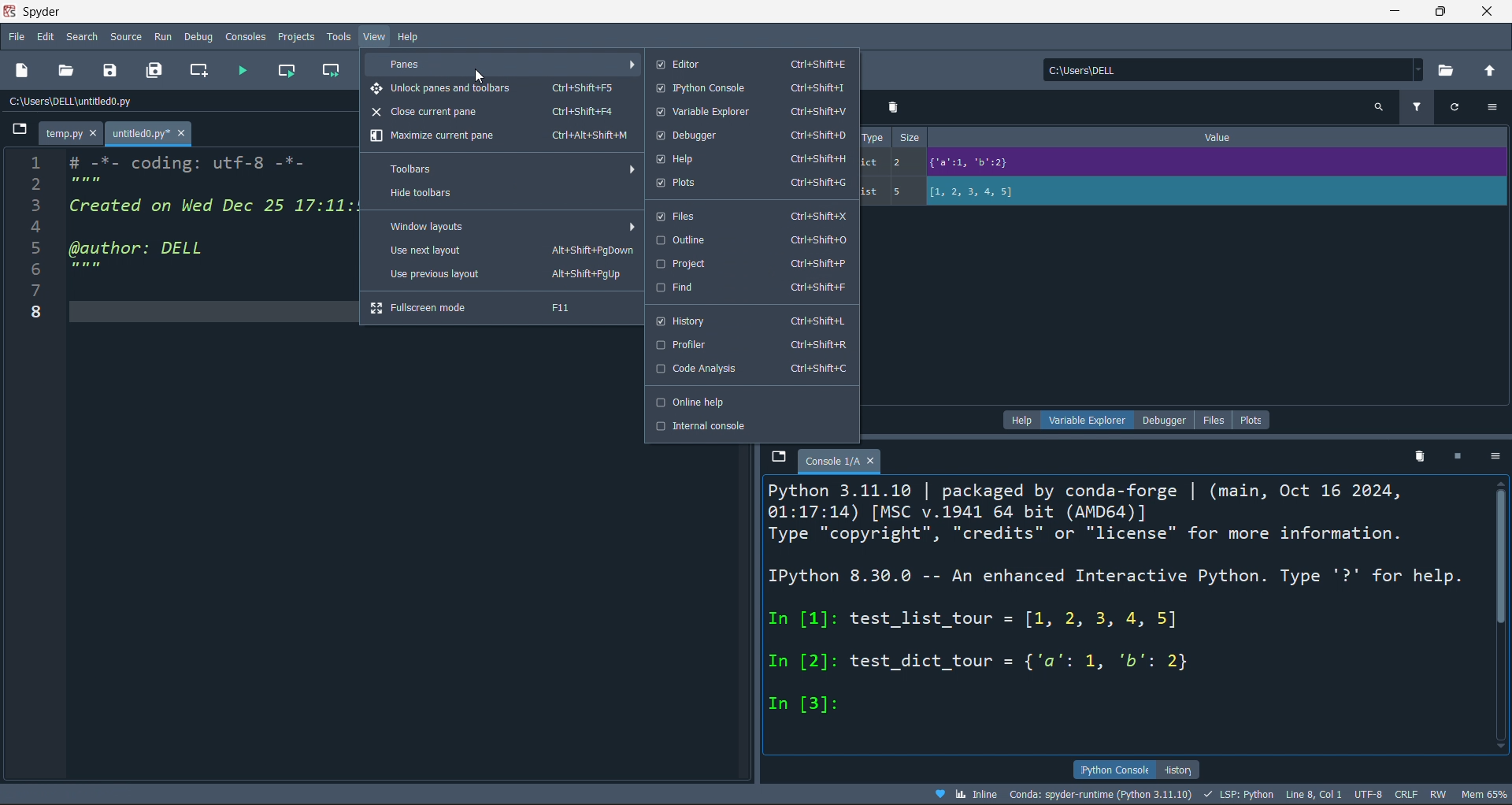  What do you see at coordinates (778, 461) in the screenshot?
I see `browse tabs` at bounding box center [778, 461].